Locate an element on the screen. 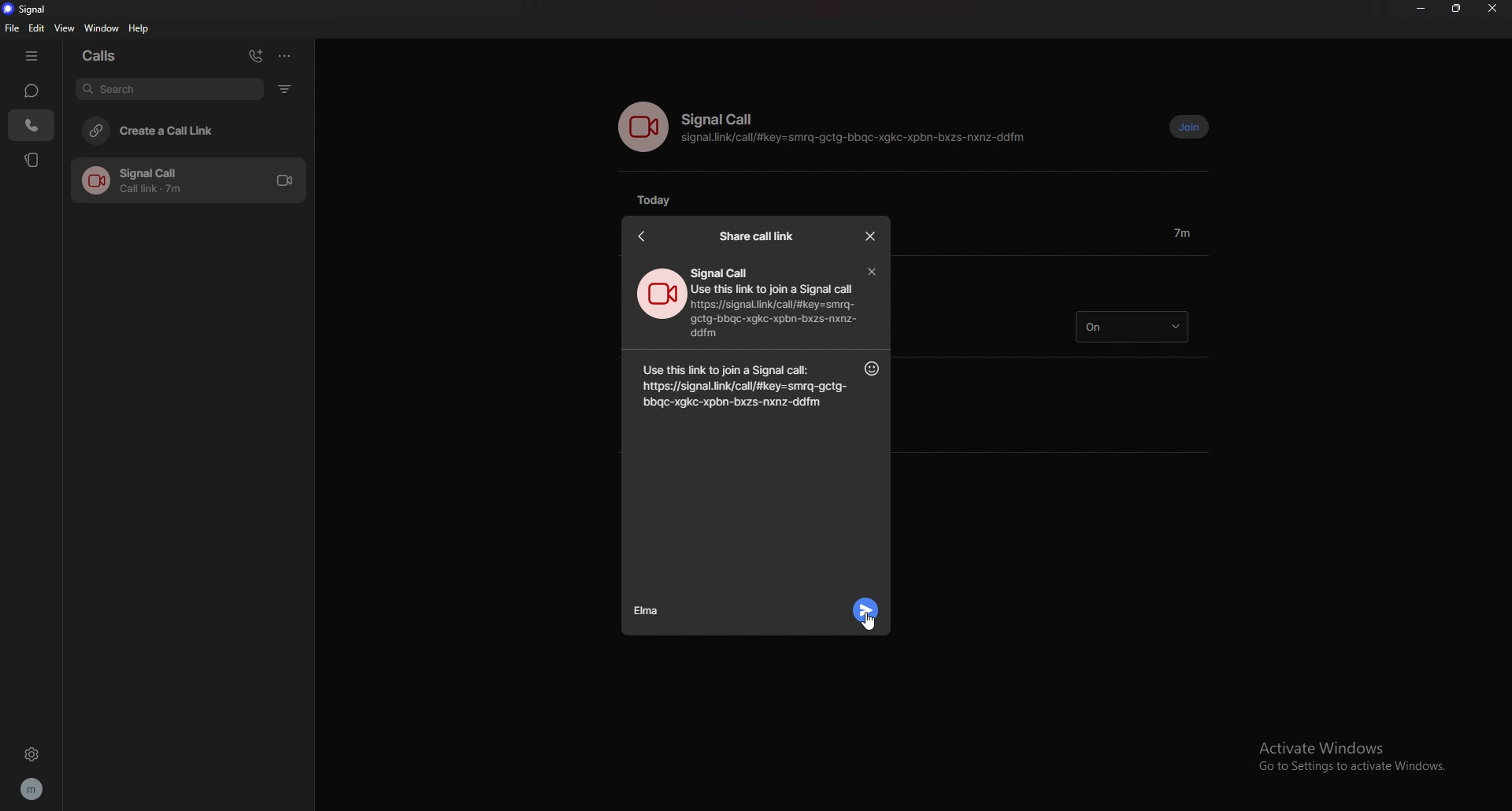 This screenshot has width=1512, height=811. filter is located at coordinates (284, 89).